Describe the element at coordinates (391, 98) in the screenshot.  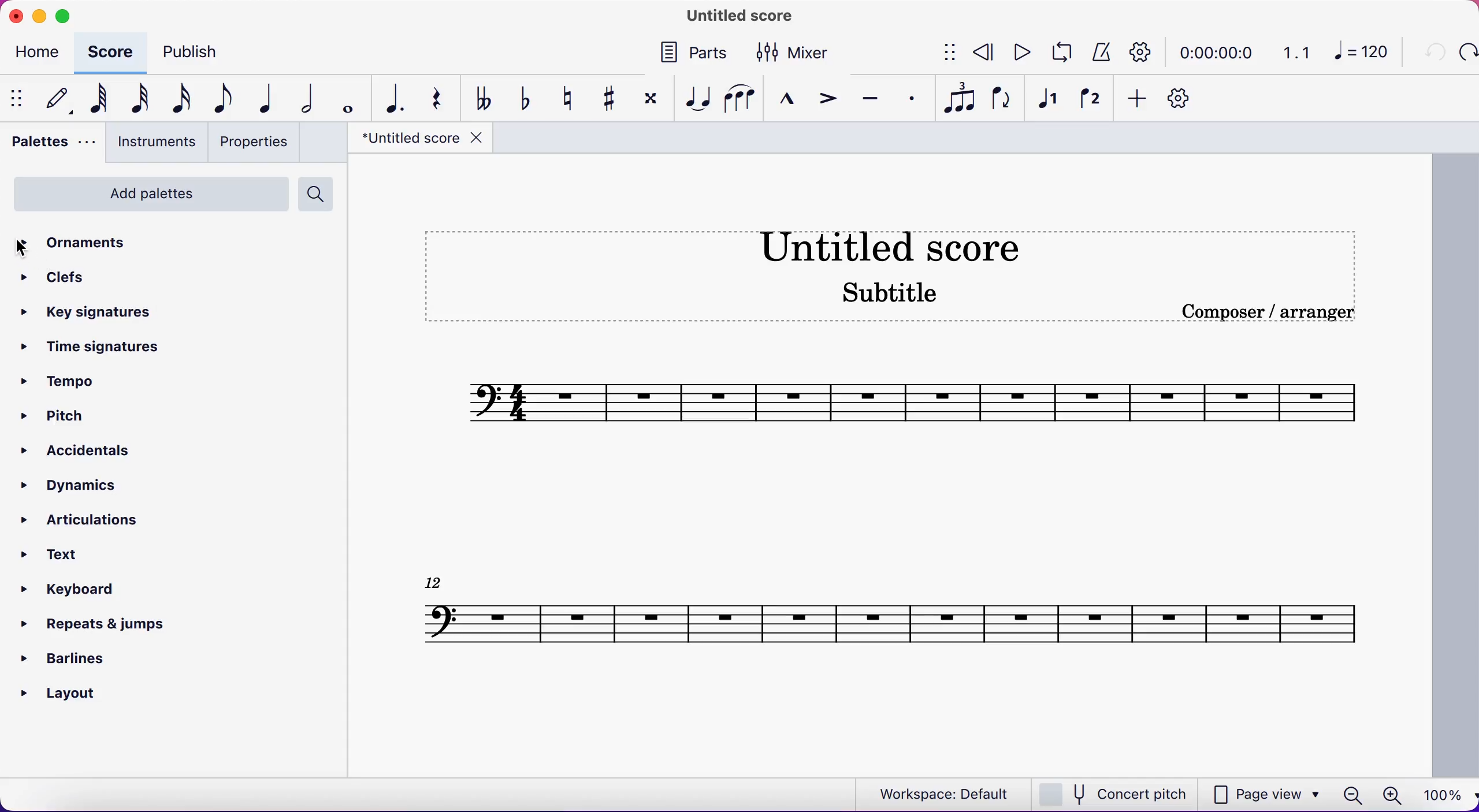
I see `augmentation dot` at that location.